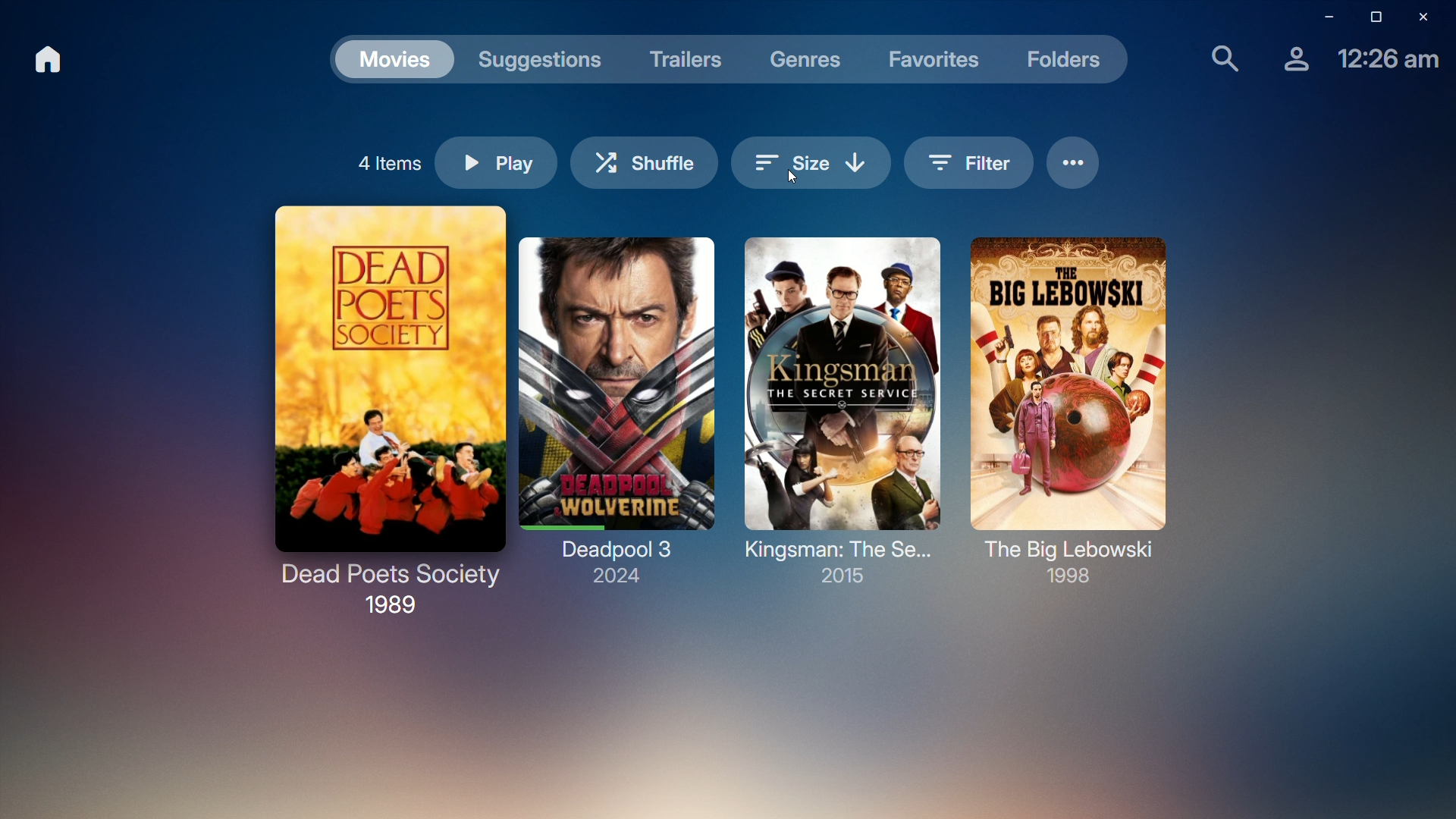 The width and height of the screenshot is (1456, 819). I want to click on Filter, so click(969, 162).